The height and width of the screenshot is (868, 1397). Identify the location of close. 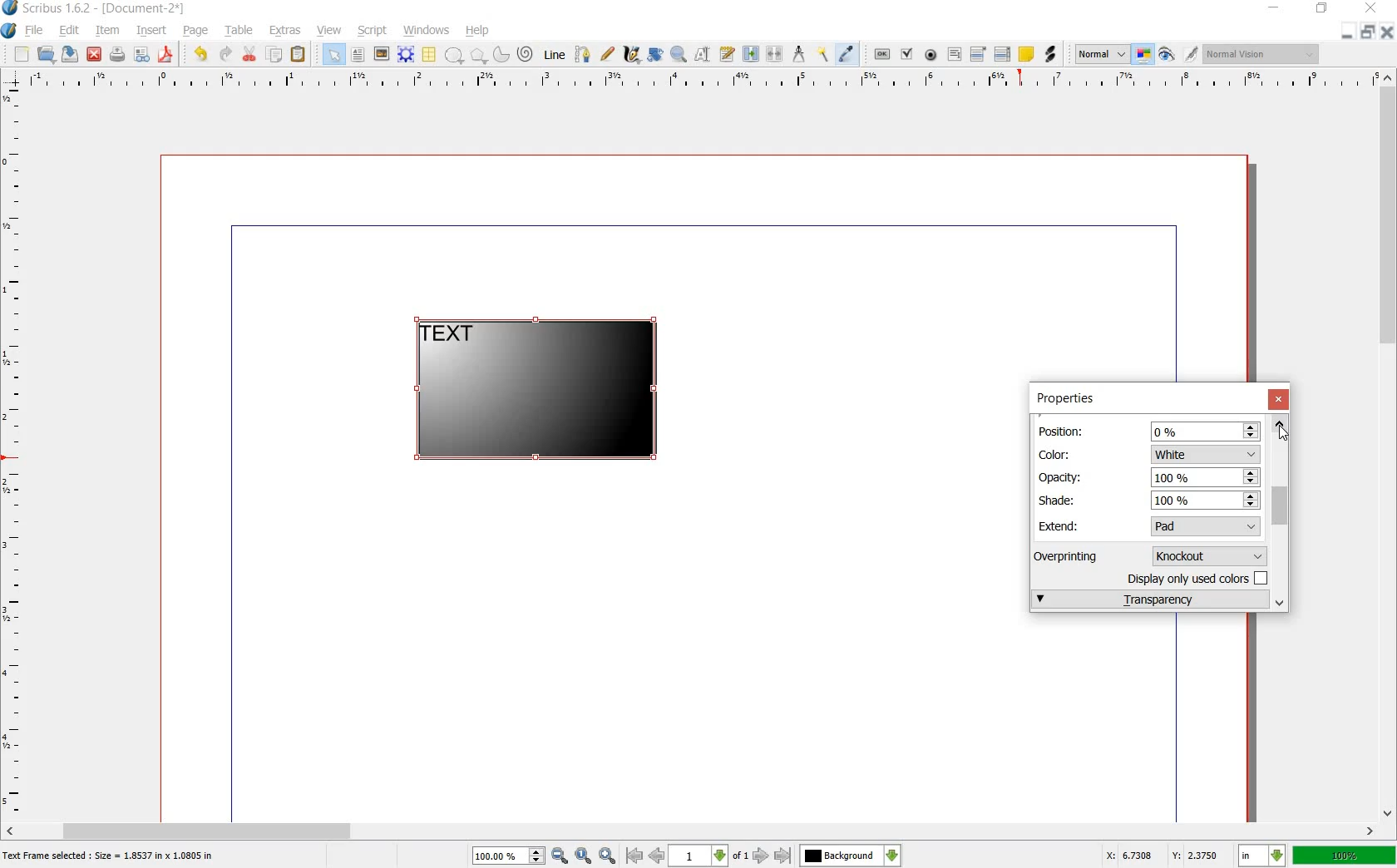
(96, 54).